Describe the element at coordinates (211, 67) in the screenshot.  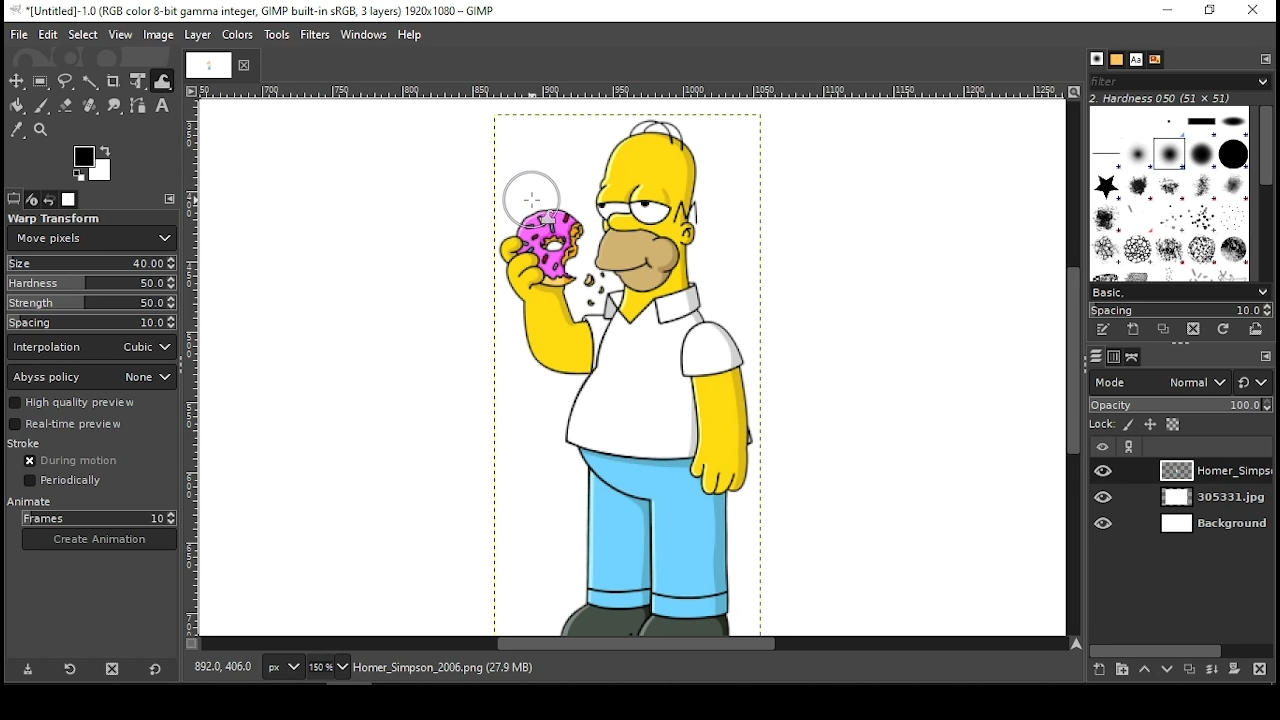
I see `tab` at that location.